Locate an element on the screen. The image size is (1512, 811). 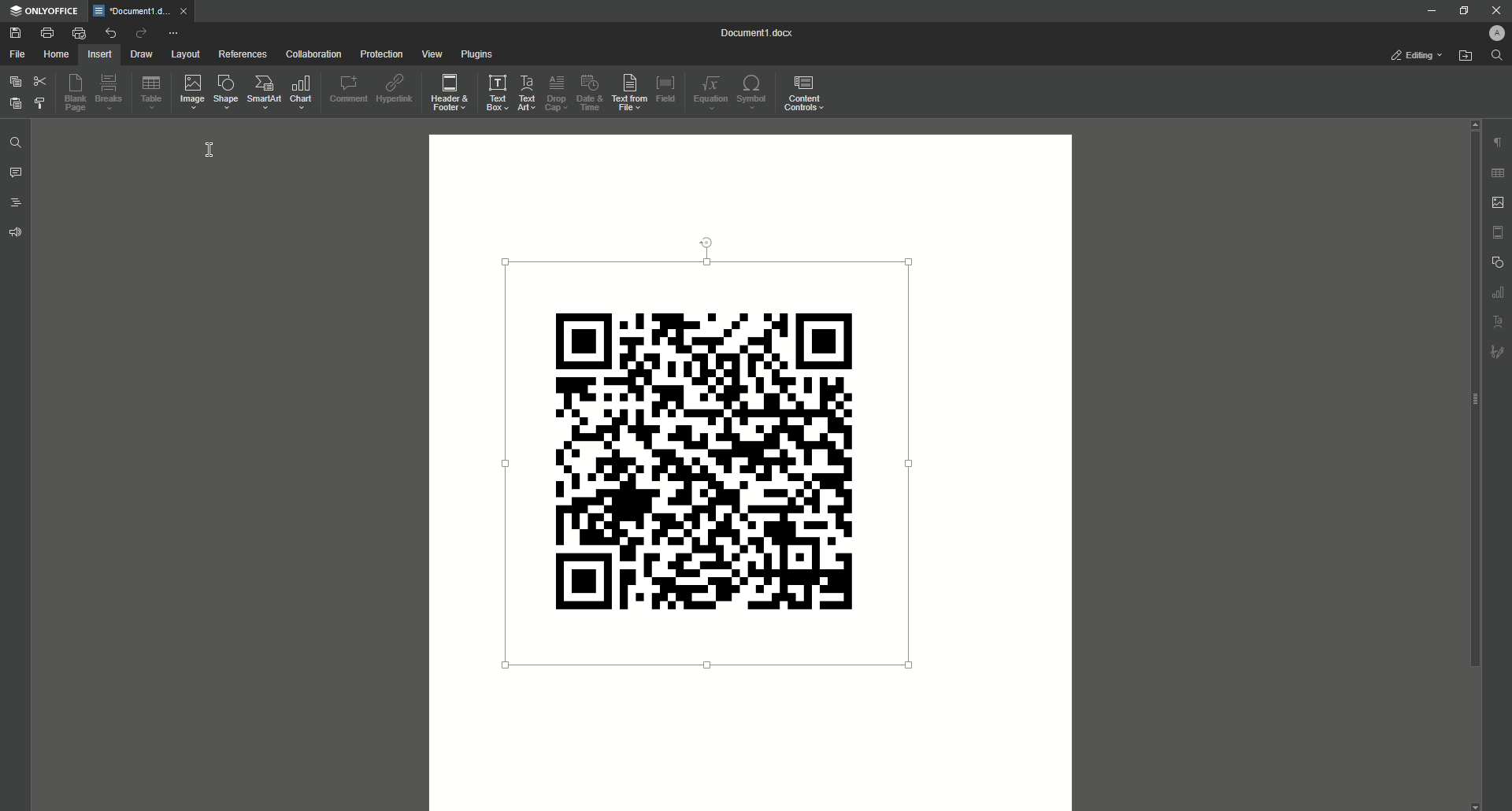
References is located at coordinates (239, 55).